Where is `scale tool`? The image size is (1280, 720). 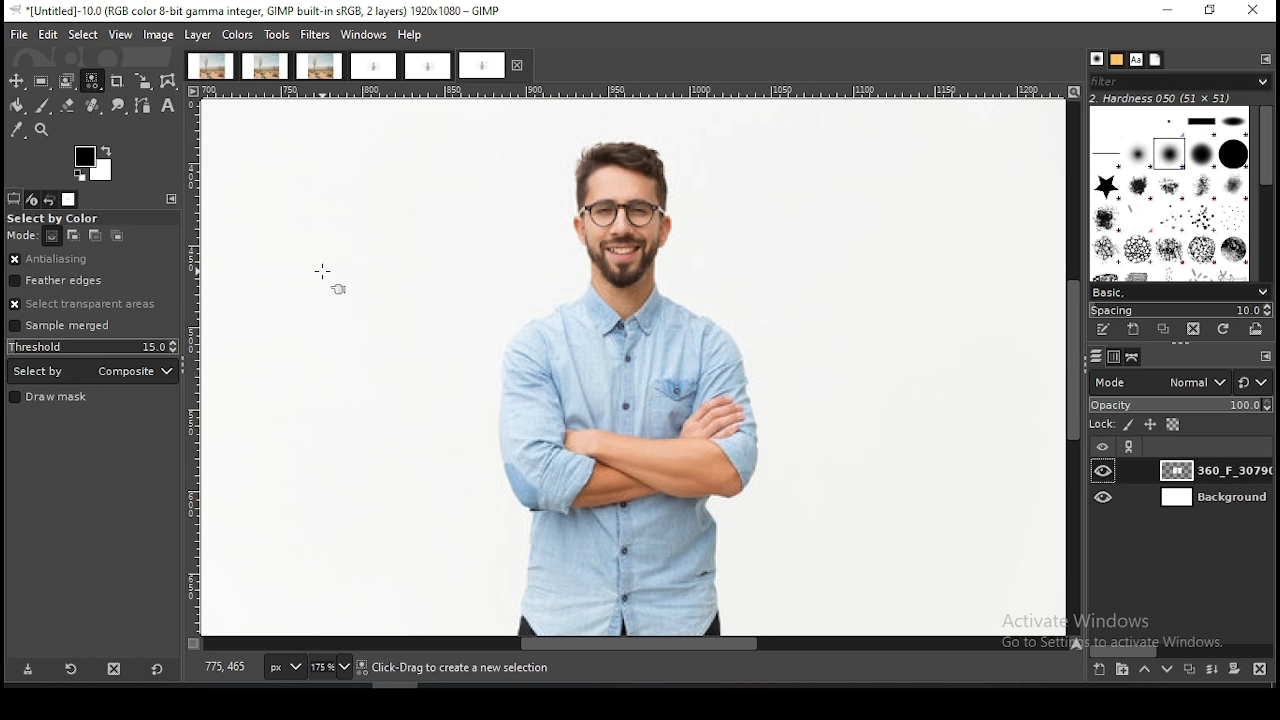 scale tool is located at coordinates (143, 82).